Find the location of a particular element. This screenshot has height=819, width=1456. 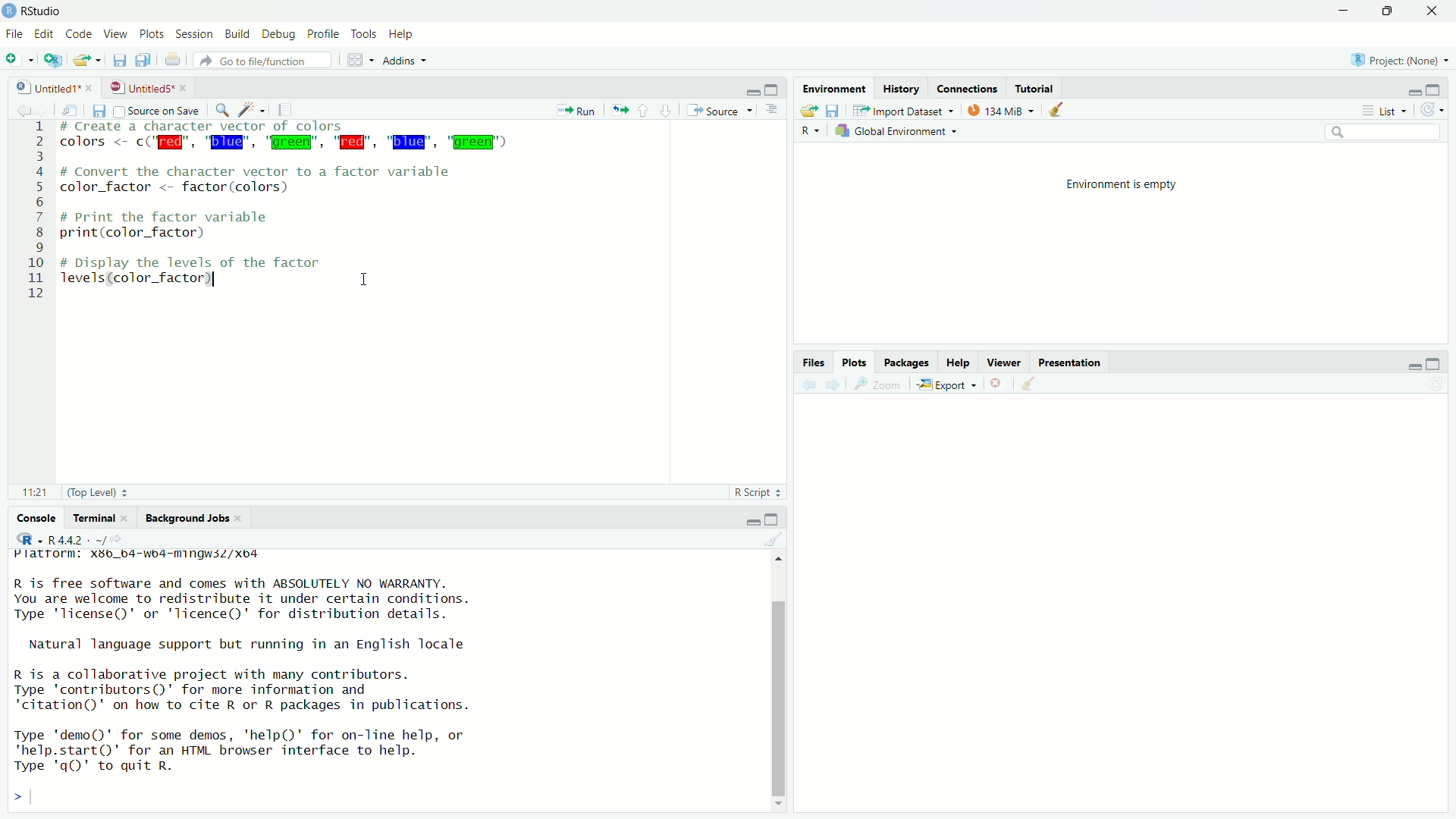

session is located at coordinates (195, 34).